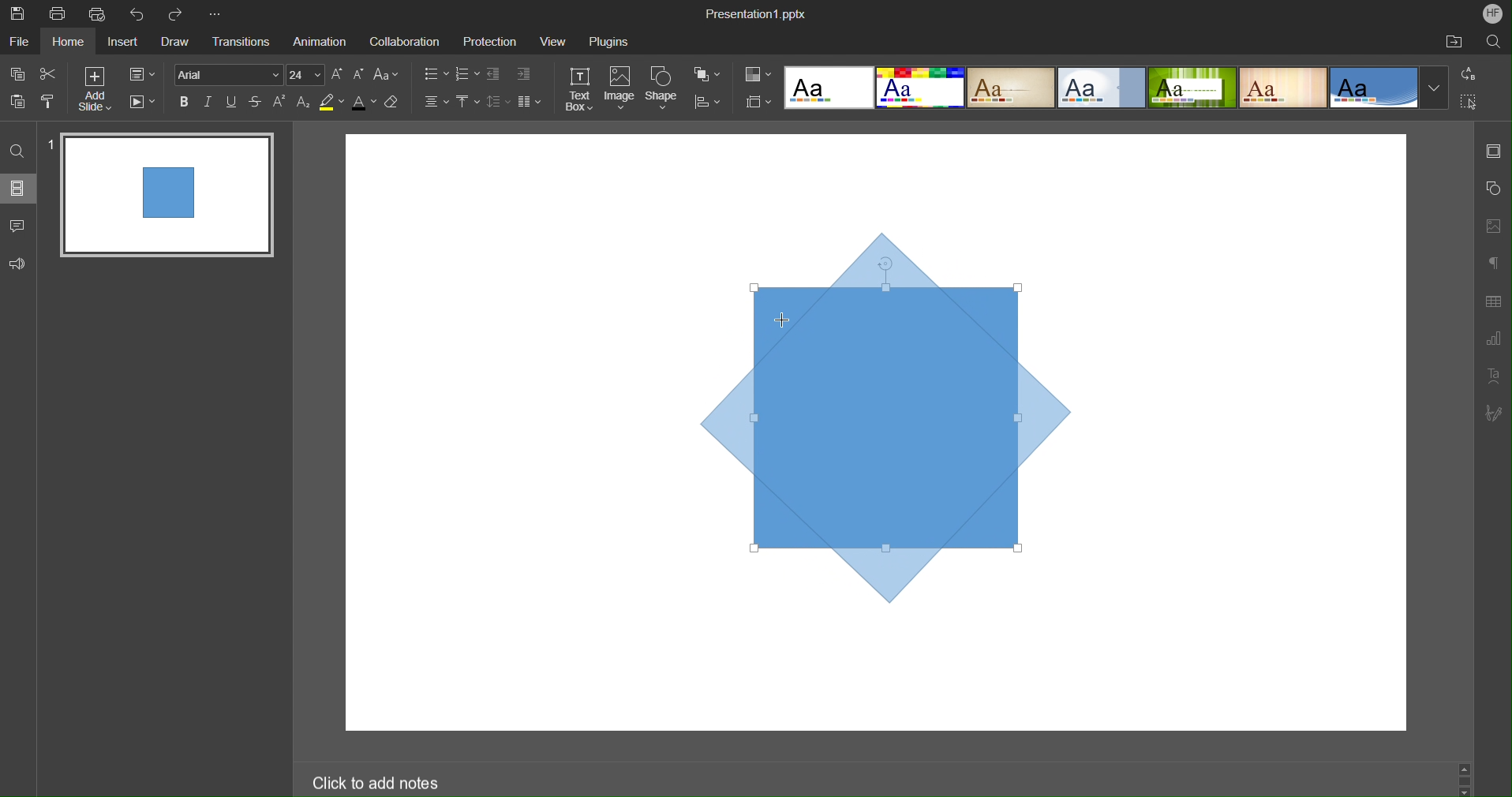  Describe the element at coordinates (256, 103) in the screenshot. I see `Strikethrough` at that location.